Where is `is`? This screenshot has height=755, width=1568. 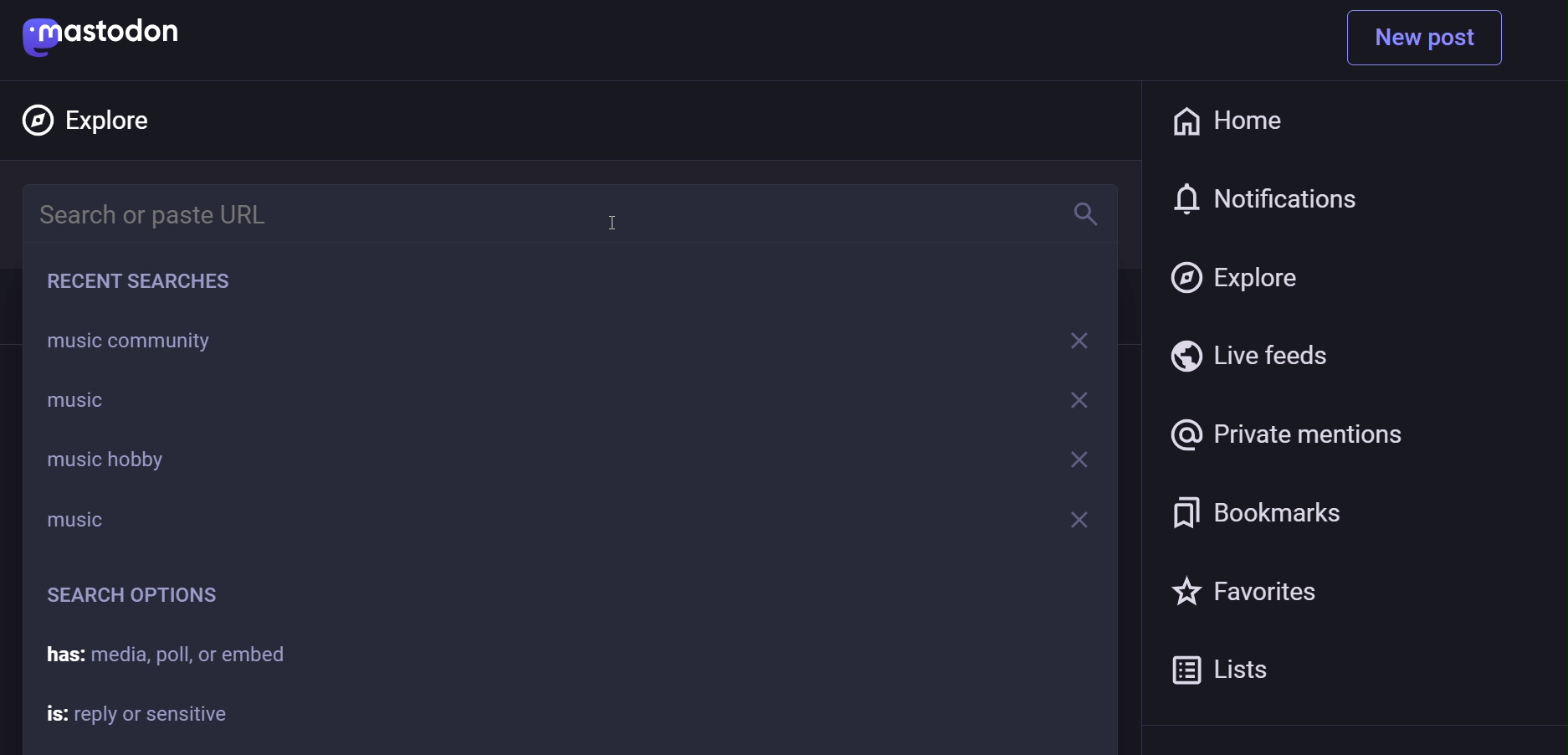 is is located at coordinates (149, 713).